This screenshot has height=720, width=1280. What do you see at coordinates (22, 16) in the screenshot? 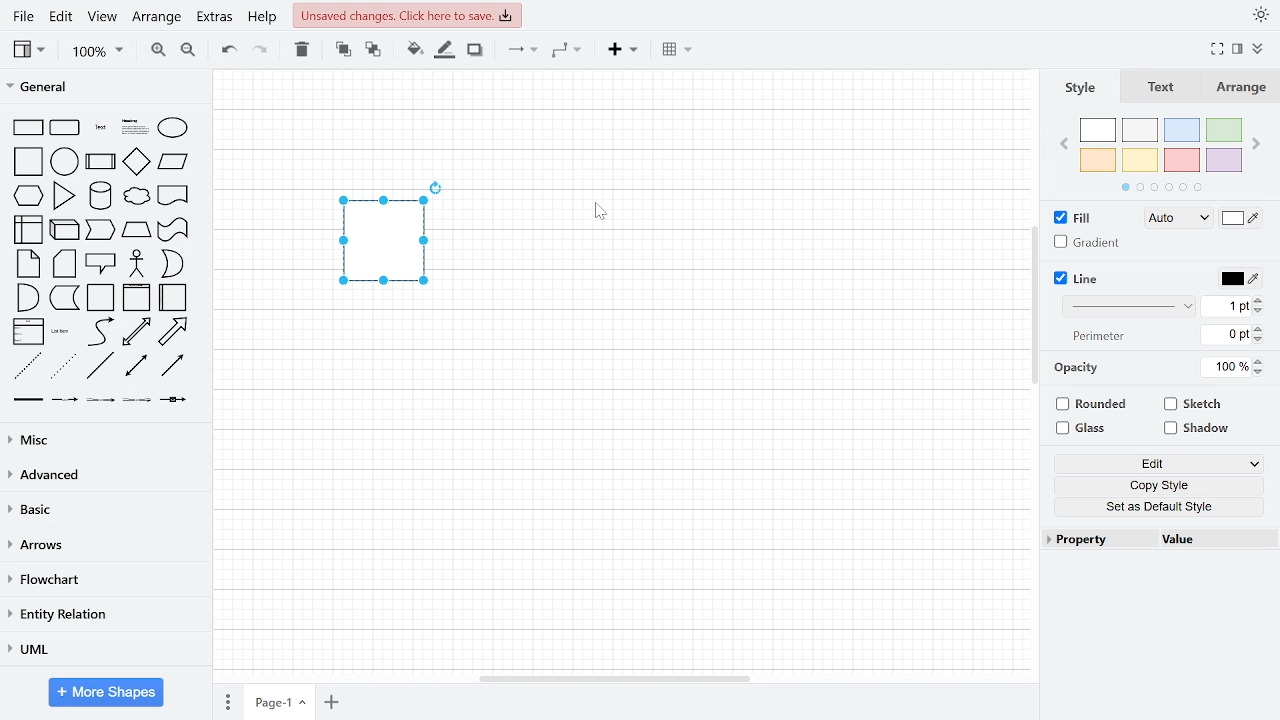
I see `file` at bounding box center [22, 16].